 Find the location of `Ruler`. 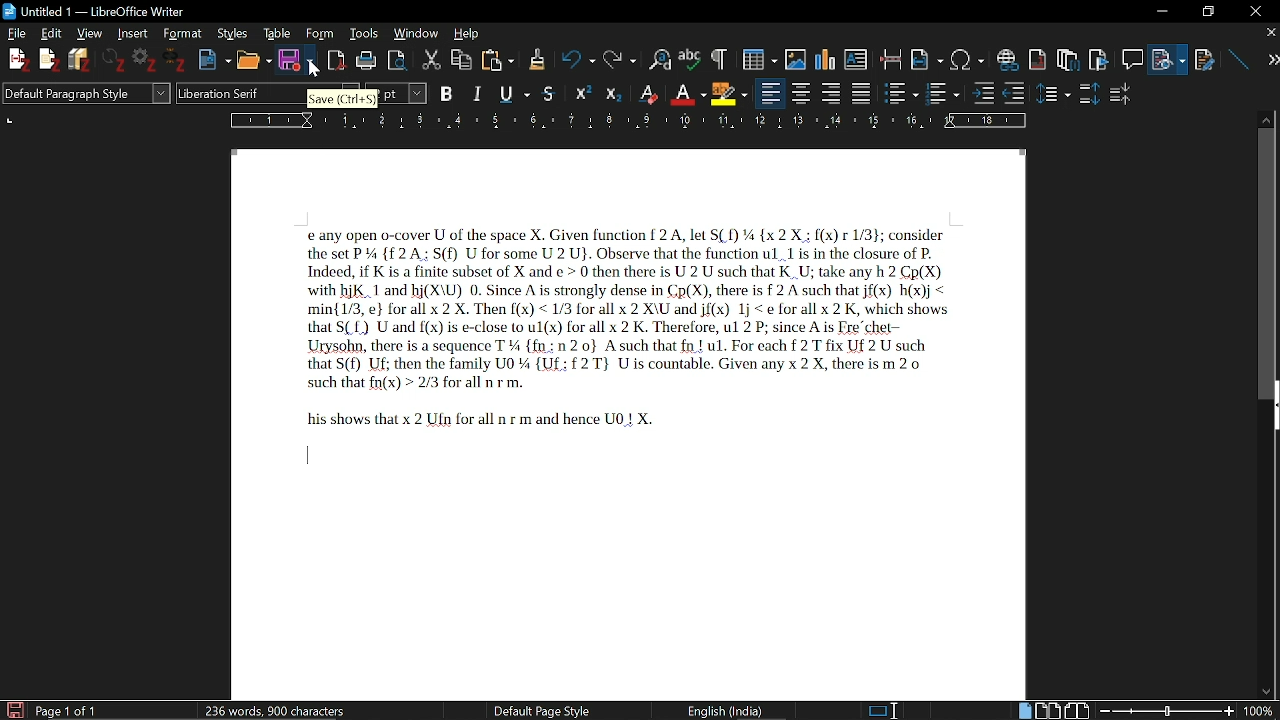

Ruler is located at coordinates (632, 120).